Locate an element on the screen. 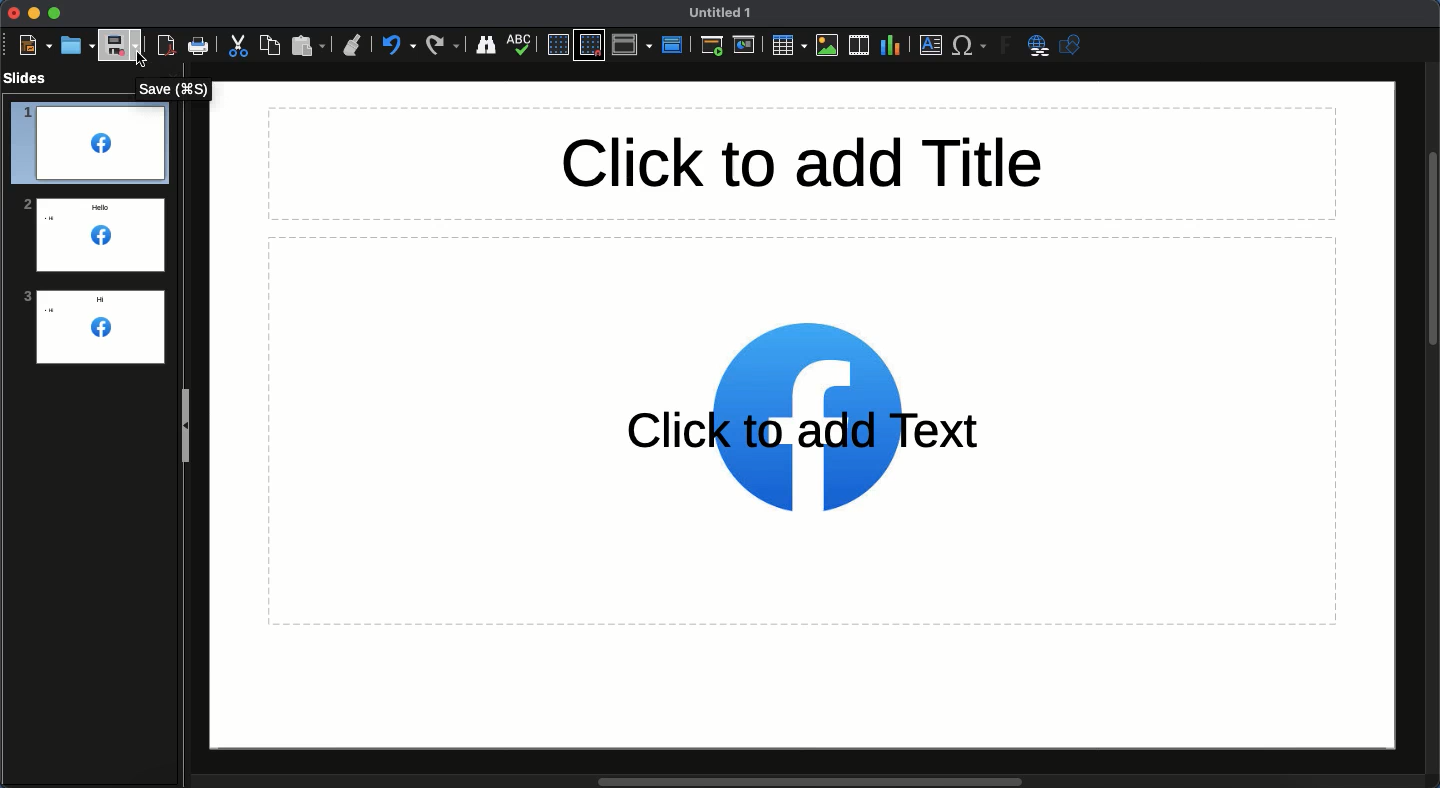  Clone formatting is located at coordinates (355, 46).